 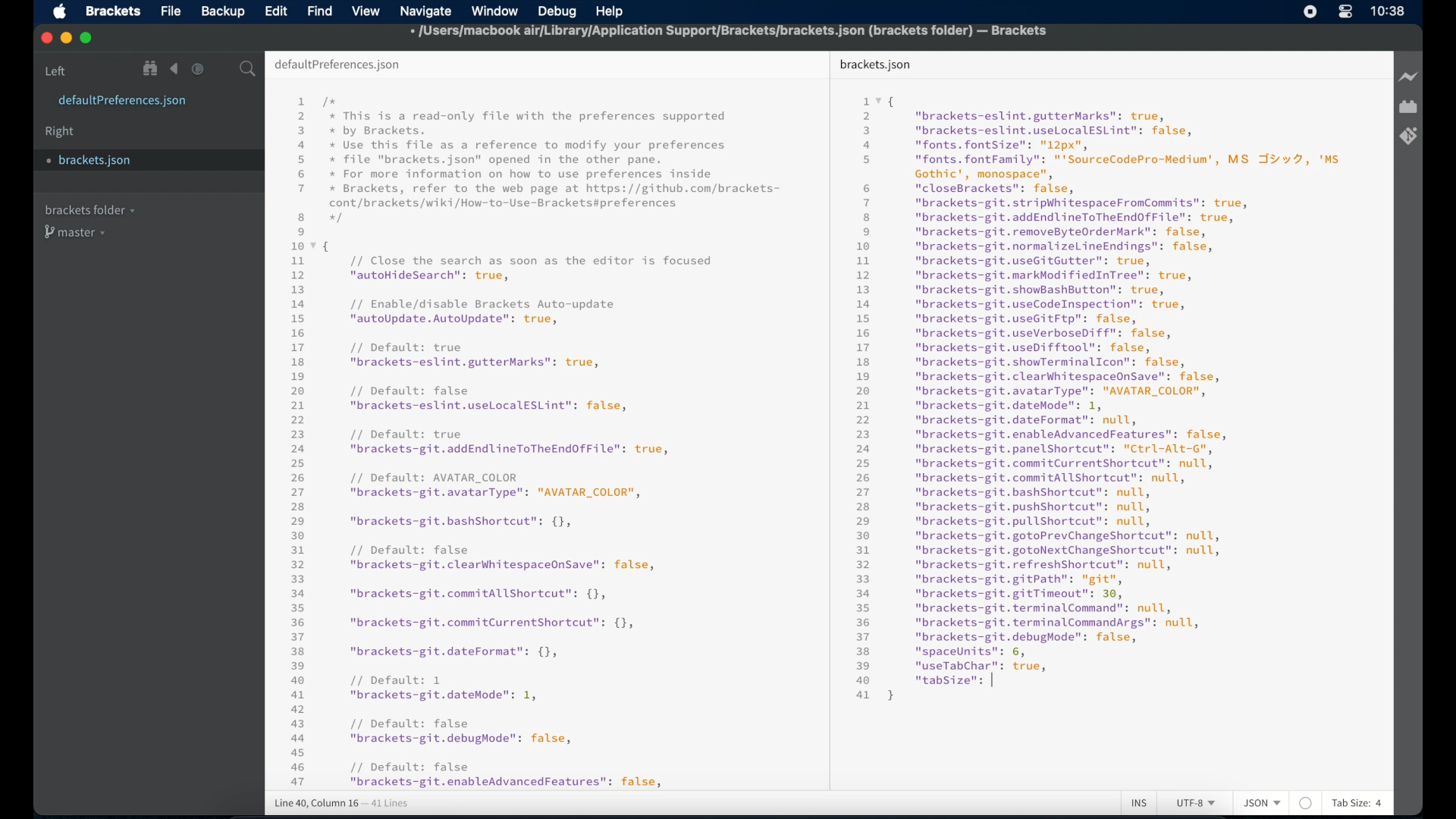 What do you see at coordinates (557, 11) in the screenshot?
I see `debug` at bounding box center [557, 11].